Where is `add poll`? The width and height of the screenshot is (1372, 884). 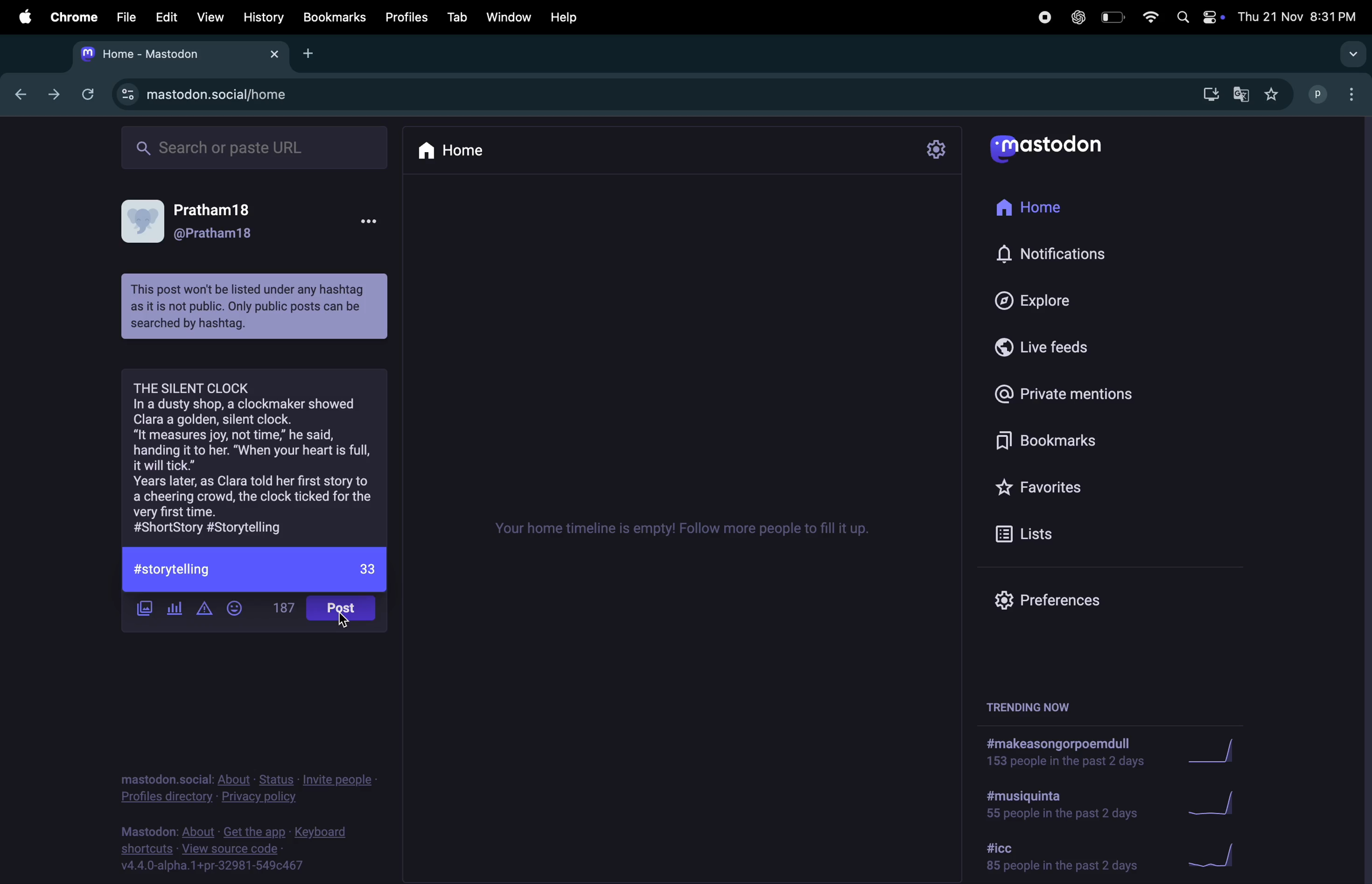
add poll is located at coordinates (176, 610).